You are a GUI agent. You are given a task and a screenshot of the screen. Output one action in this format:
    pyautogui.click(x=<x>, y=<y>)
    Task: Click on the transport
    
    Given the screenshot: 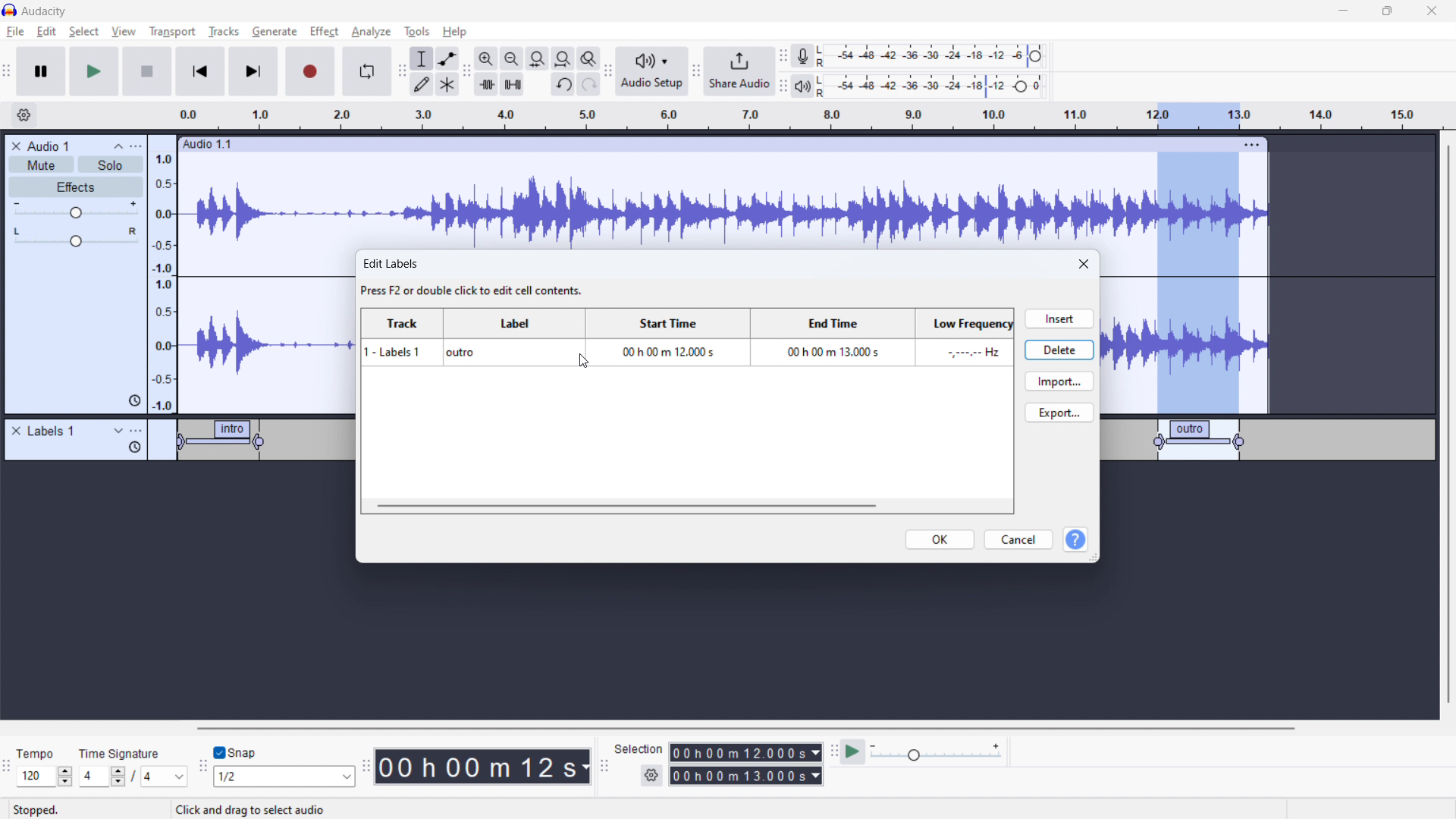 What is the action you would take?
    pyautogui.click(x=172, y=31)
    